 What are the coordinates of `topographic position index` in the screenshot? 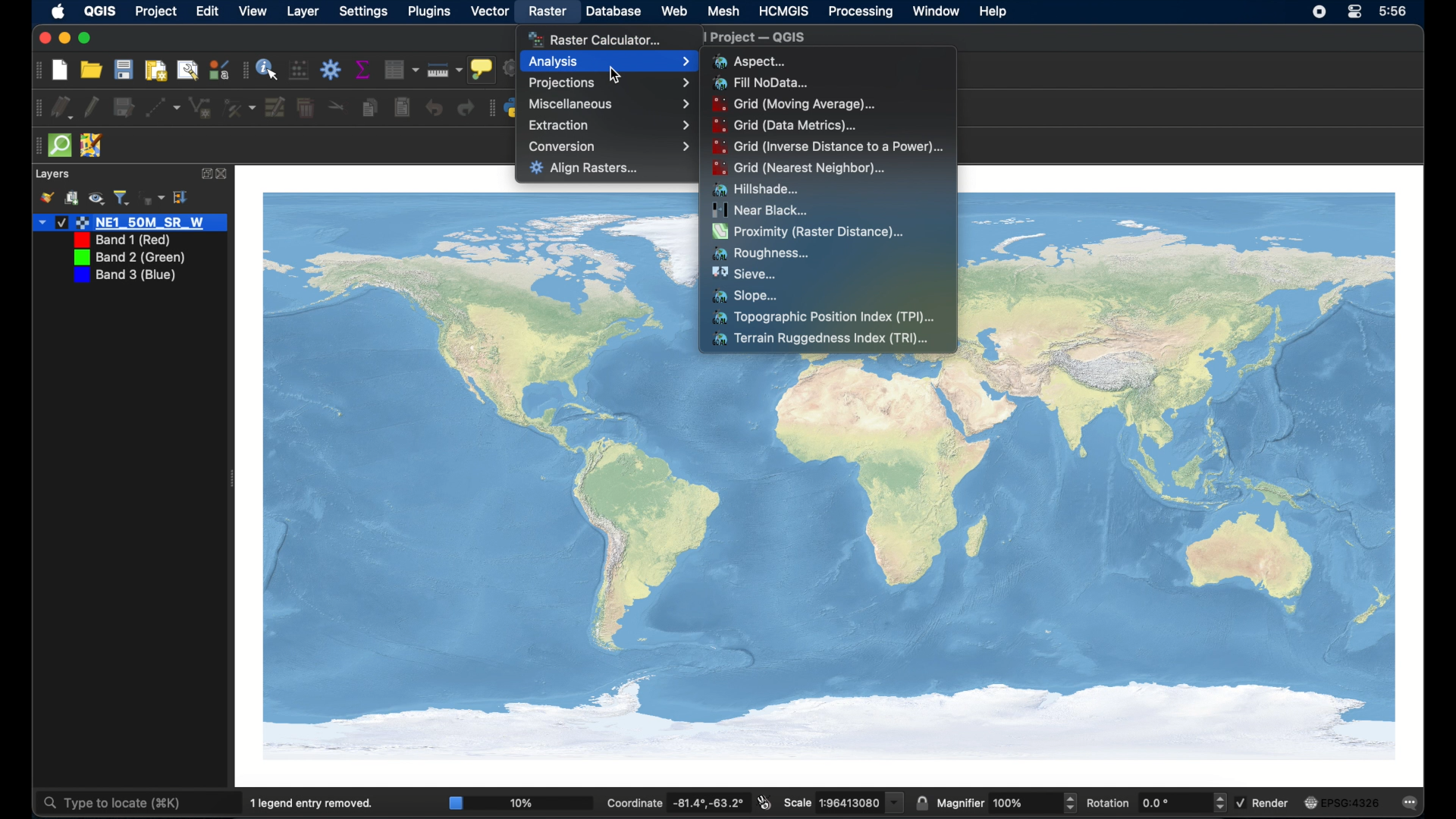 It's located at (823, 318).